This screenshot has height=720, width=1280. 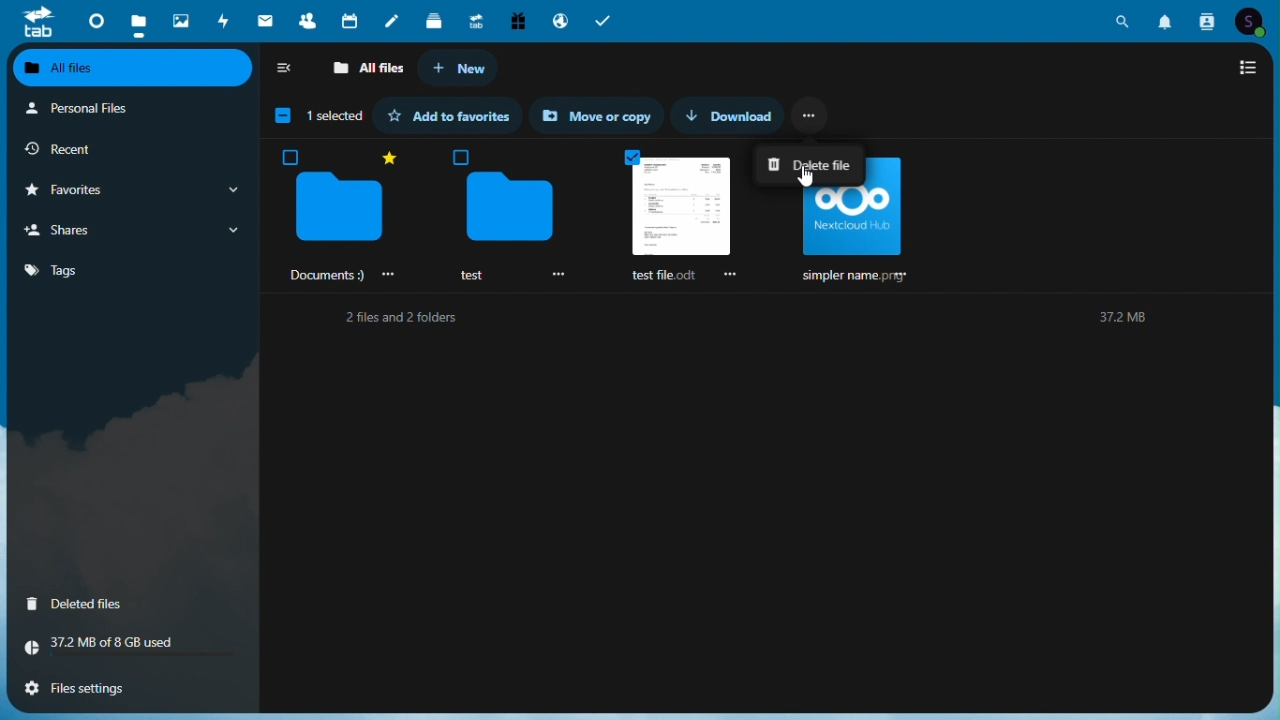 What do you see at coordinates (399, 316) in the screenshot?
I see `2 files and 2 folders` at bounding box center [399, 316].